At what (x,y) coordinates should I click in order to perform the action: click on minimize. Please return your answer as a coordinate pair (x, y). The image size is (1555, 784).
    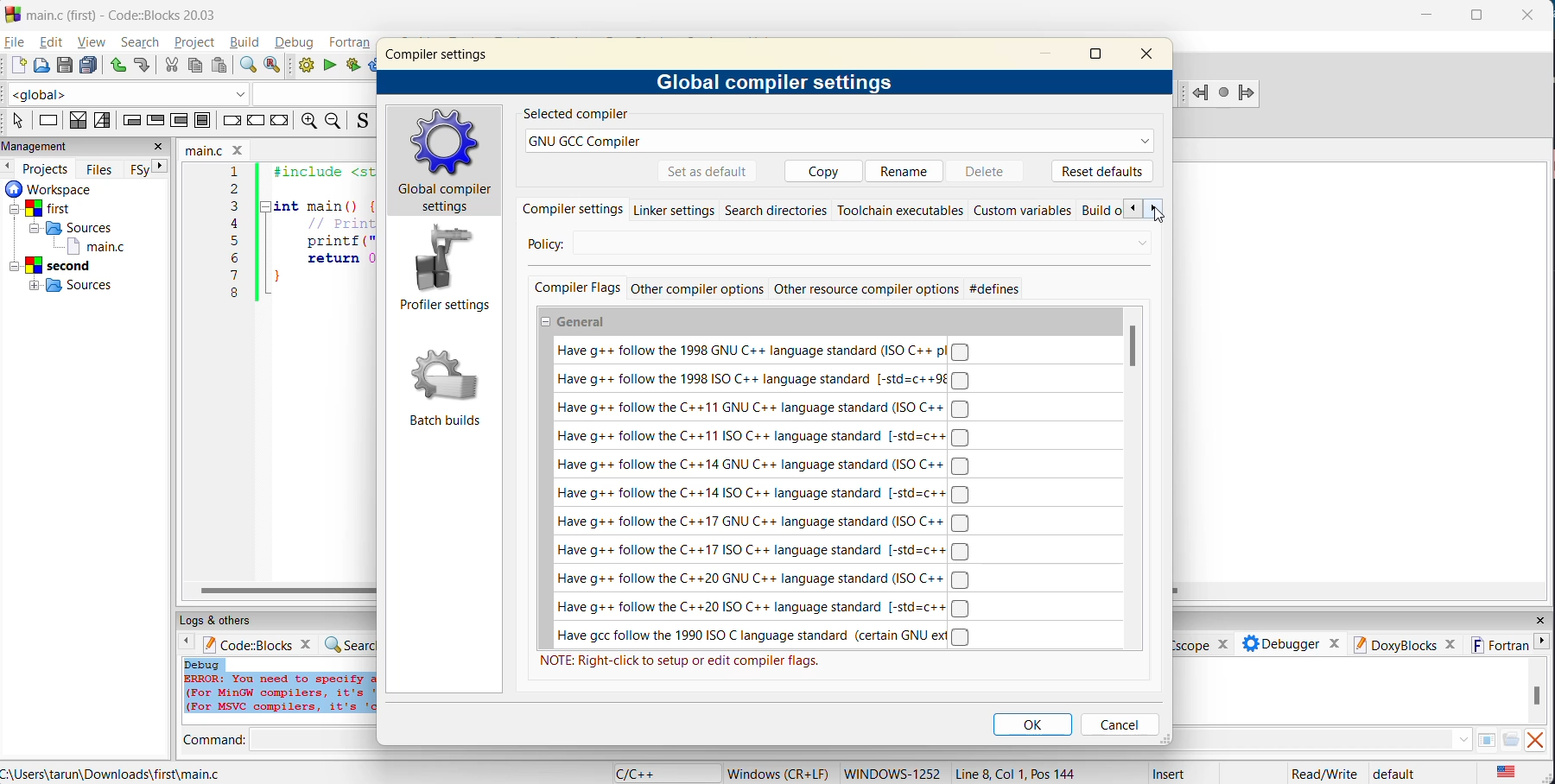
    Looking at the image, I should click on (1047, 53).